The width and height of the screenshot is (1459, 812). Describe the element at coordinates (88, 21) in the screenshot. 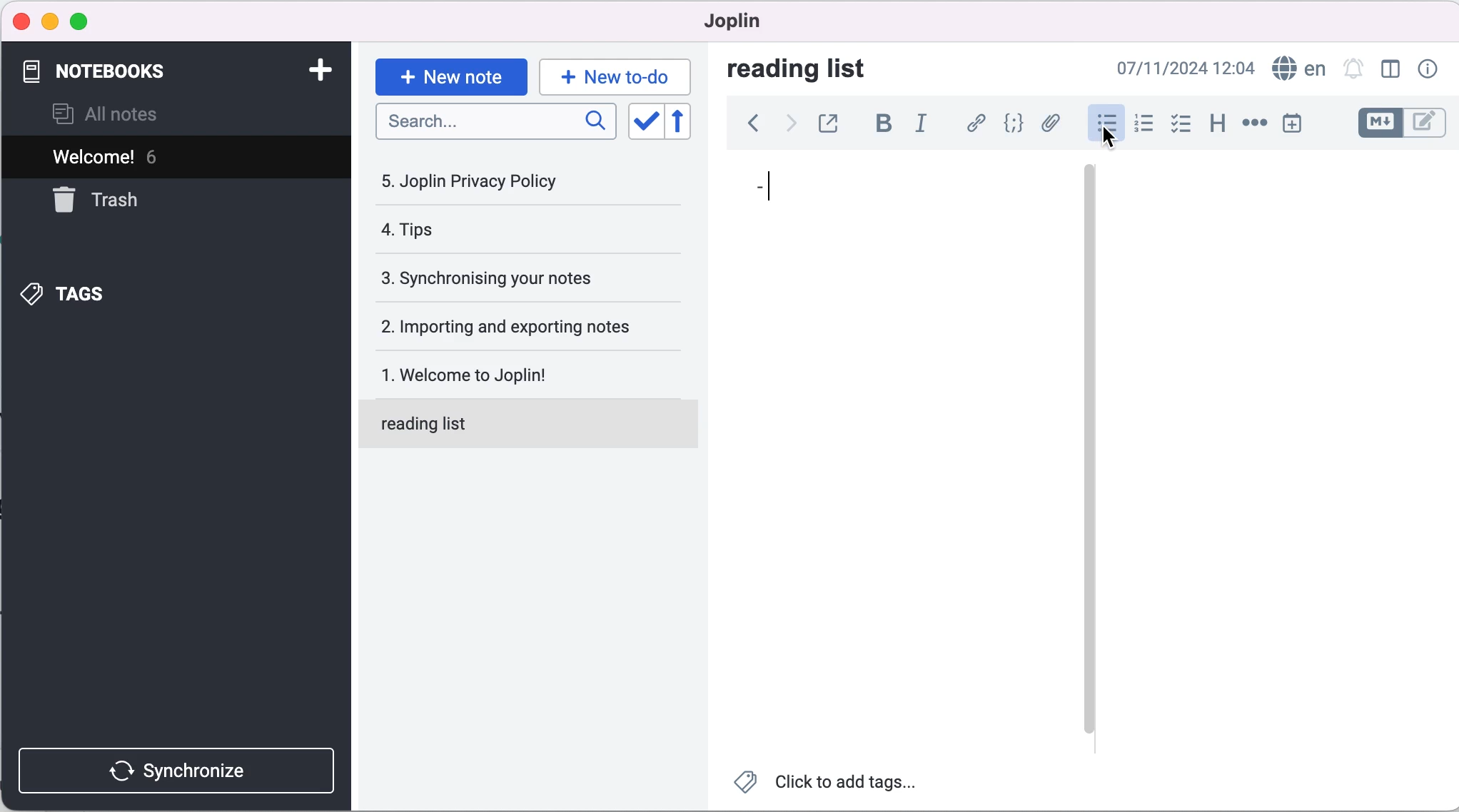

I see `maximize` at that location.